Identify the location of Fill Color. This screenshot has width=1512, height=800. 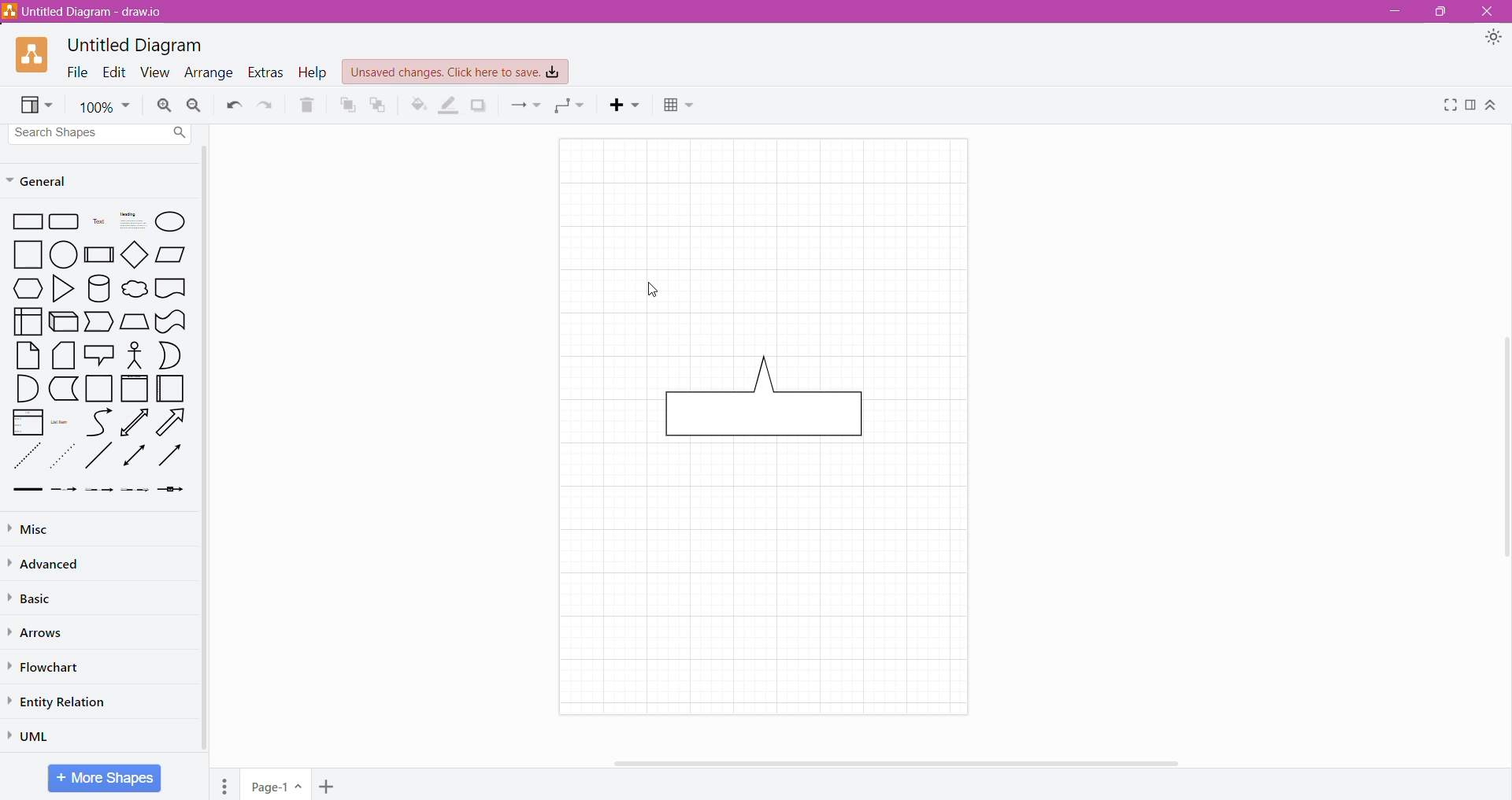
(417, 105).